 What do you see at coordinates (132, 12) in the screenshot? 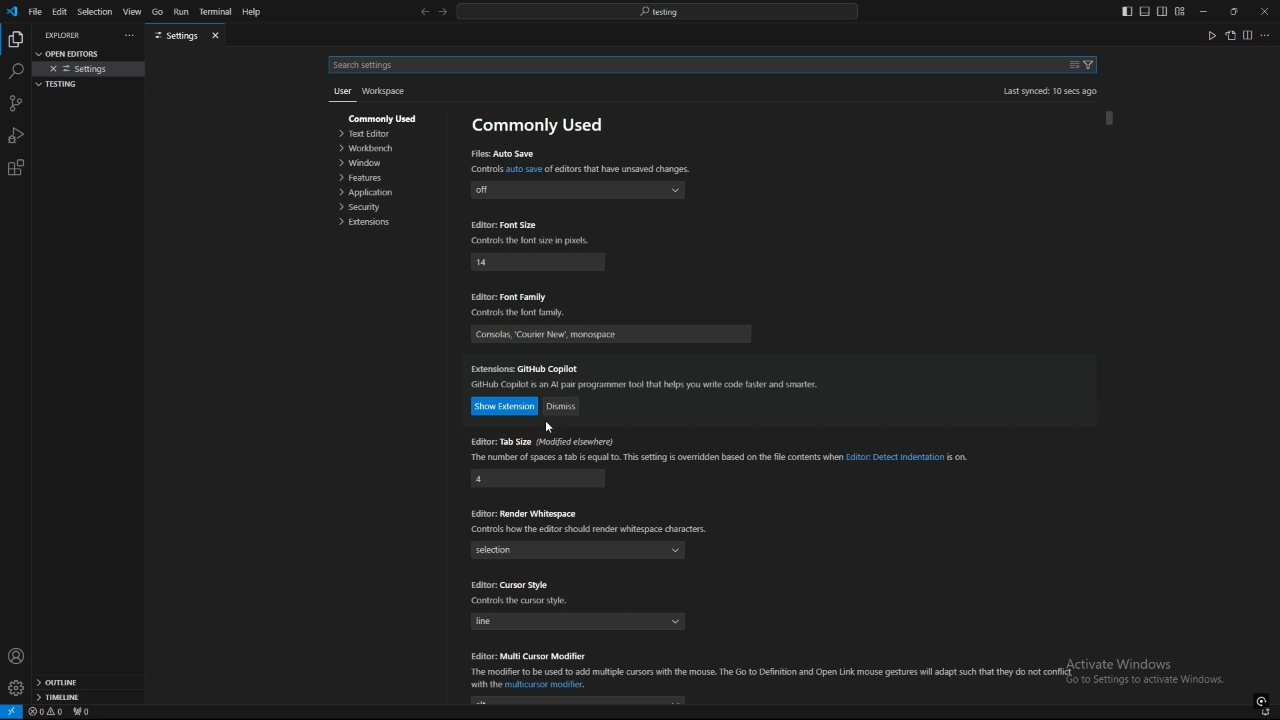
I see `view` at bounding box center [132, 12].